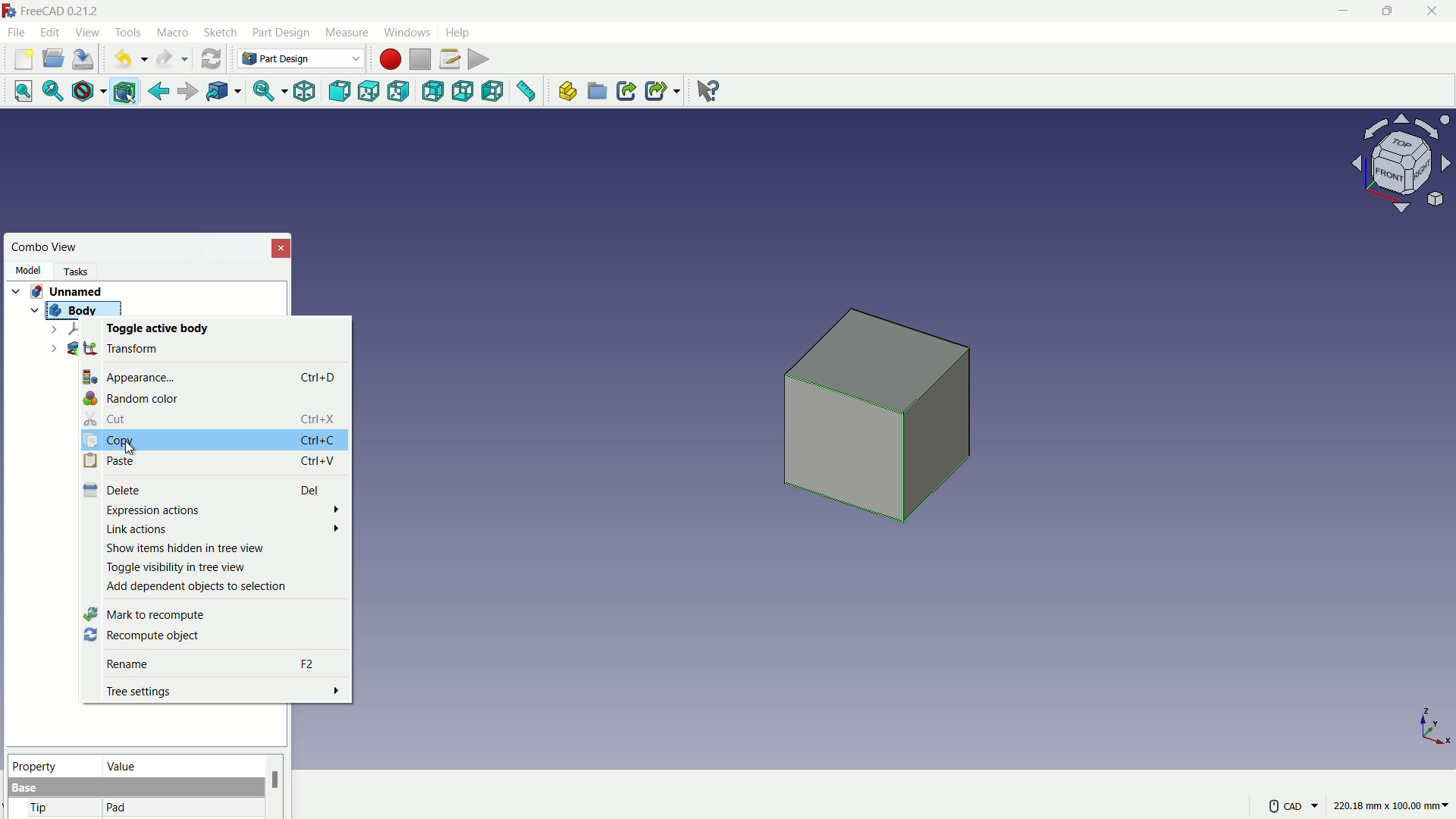  Describe the element at coordinates (211, 58) in the screenshot. I see `refresh` at that location.